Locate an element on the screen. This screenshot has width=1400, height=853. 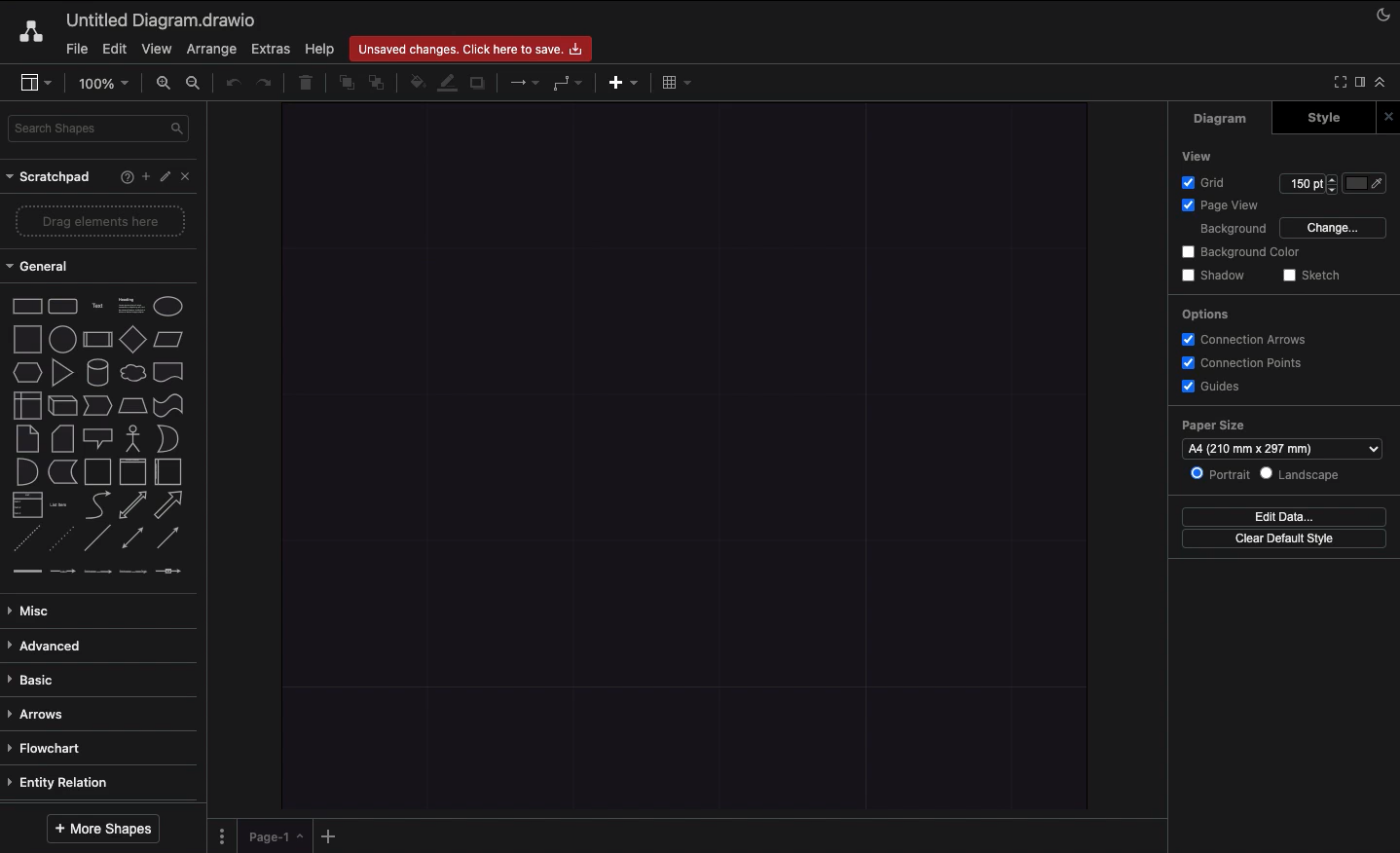
Connection arrows is located at coordinates (1251, 341).